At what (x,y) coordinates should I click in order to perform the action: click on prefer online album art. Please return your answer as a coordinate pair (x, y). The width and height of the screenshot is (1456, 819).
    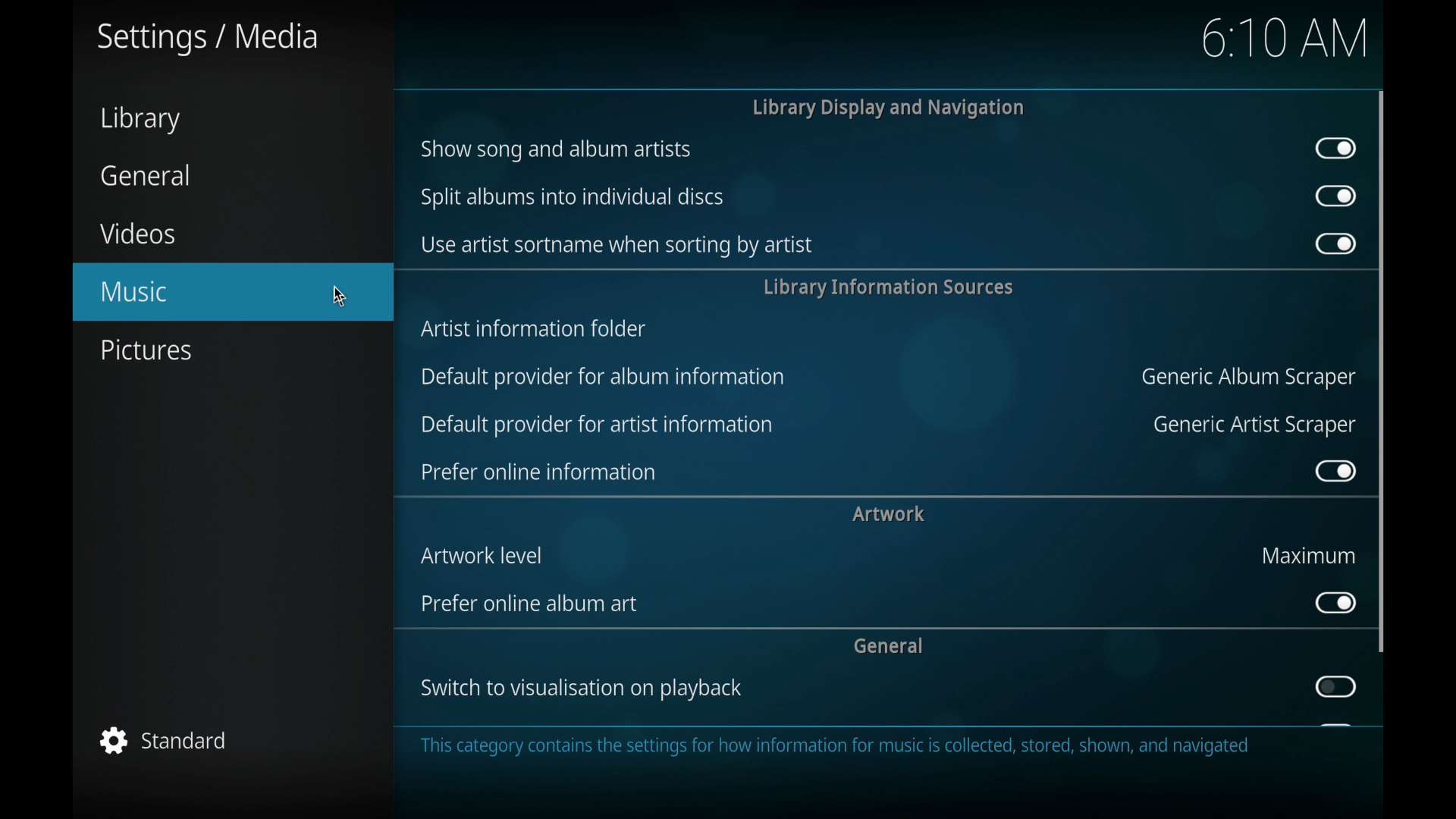
    Looking at the image, I should click on (533, 604).